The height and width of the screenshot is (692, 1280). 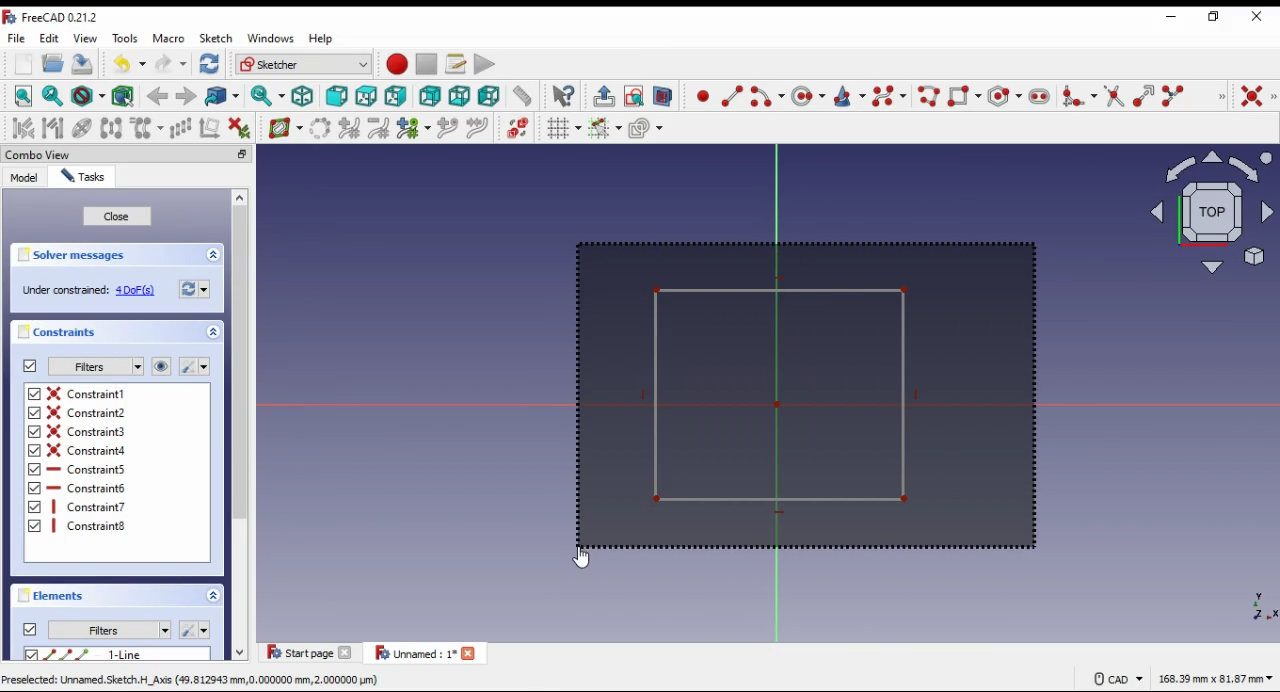 What do you see at coordinates (1253, 603) in the screenshot?
I see `axis` at bounding box center [1253, 603].